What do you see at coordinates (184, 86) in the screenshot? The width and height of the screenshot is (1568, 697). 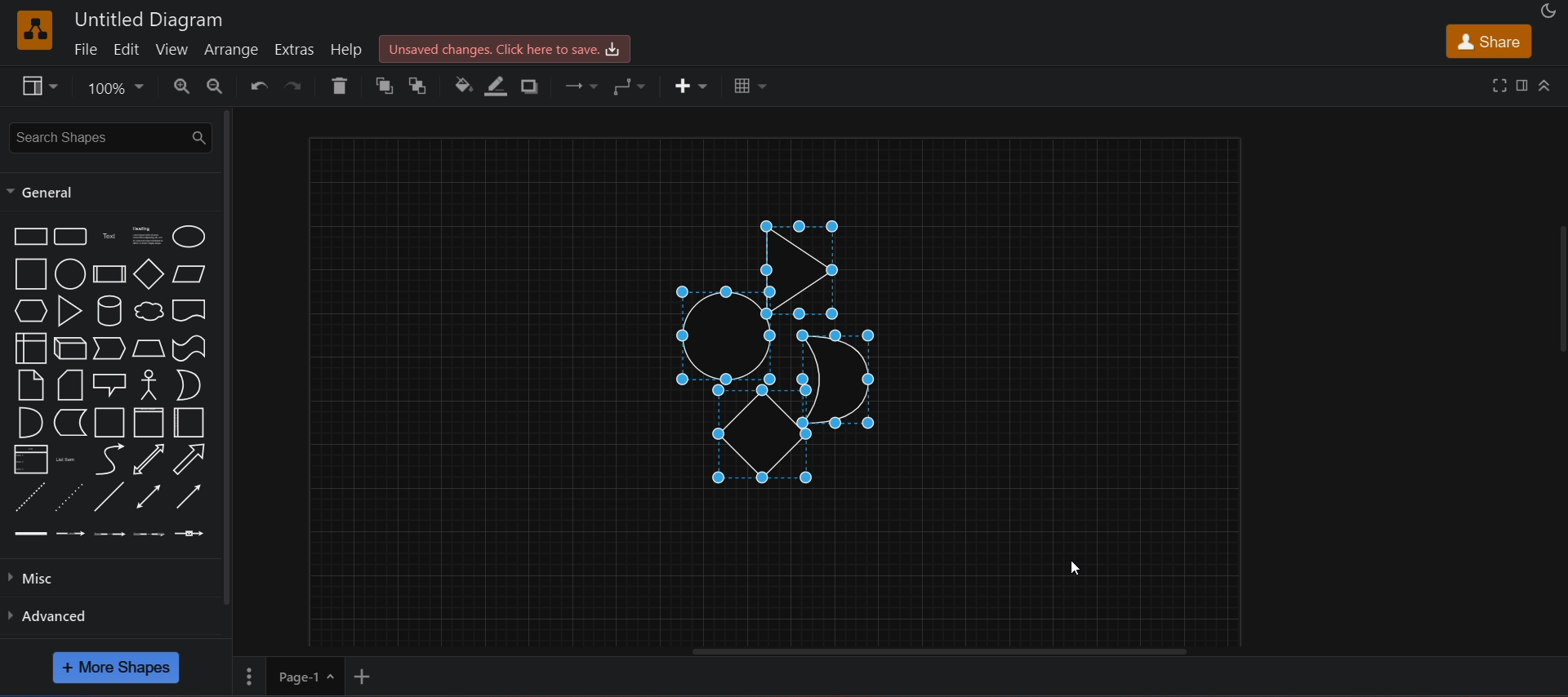 I see `zoom in` at bounding box center [184, 86].